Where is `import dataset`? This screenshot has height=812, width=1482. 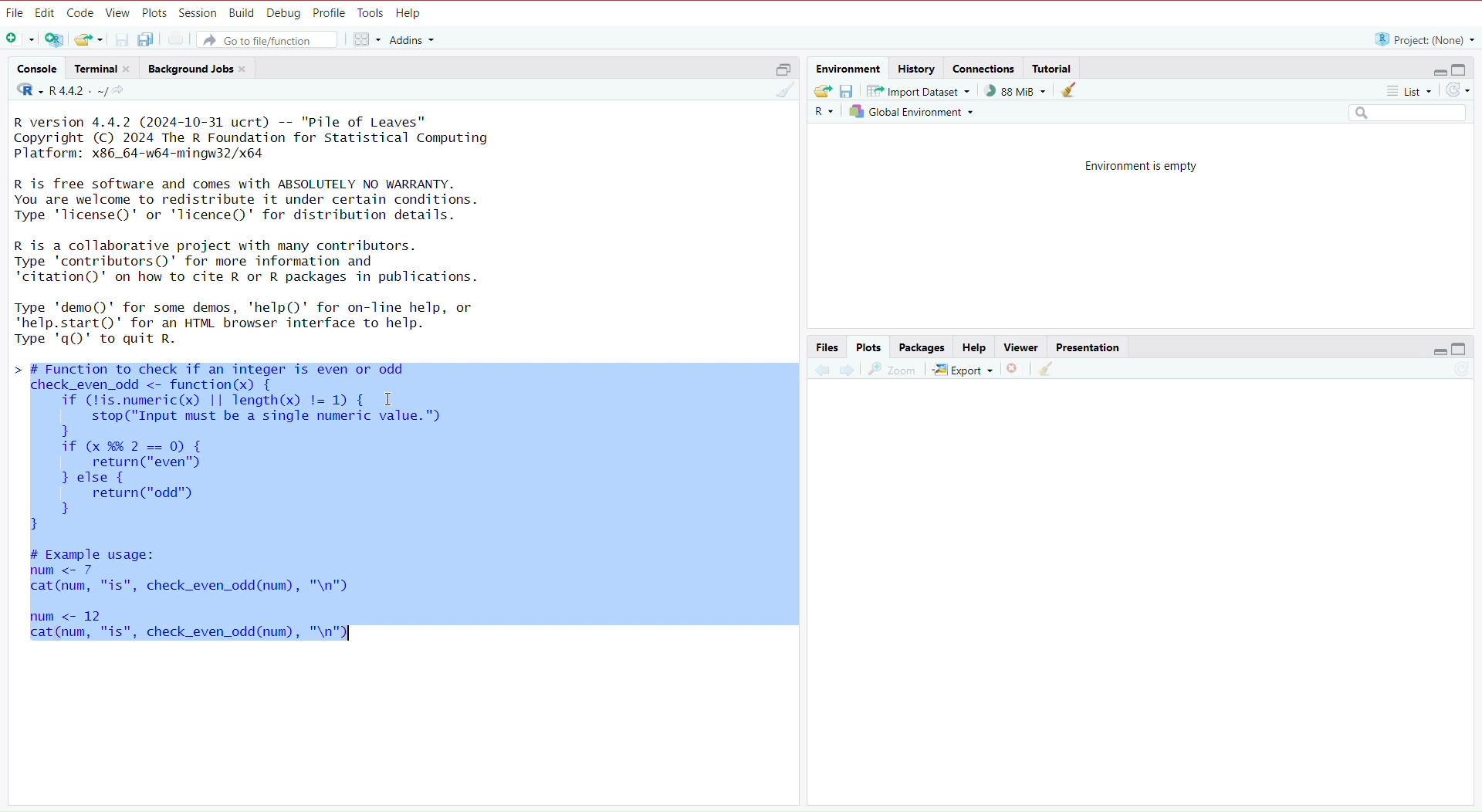
import dataset is located at coordinates (923, 90).